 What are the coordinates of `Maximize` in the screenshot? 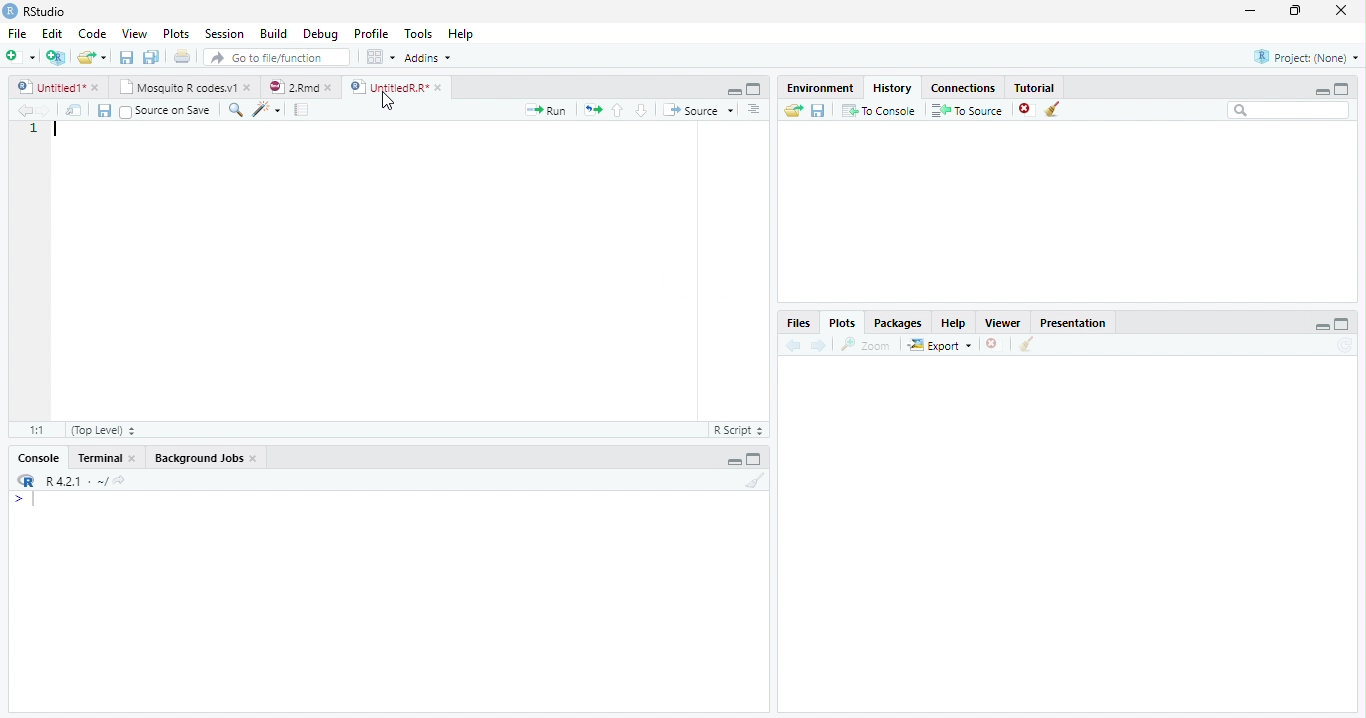 It's located at (754, 458).